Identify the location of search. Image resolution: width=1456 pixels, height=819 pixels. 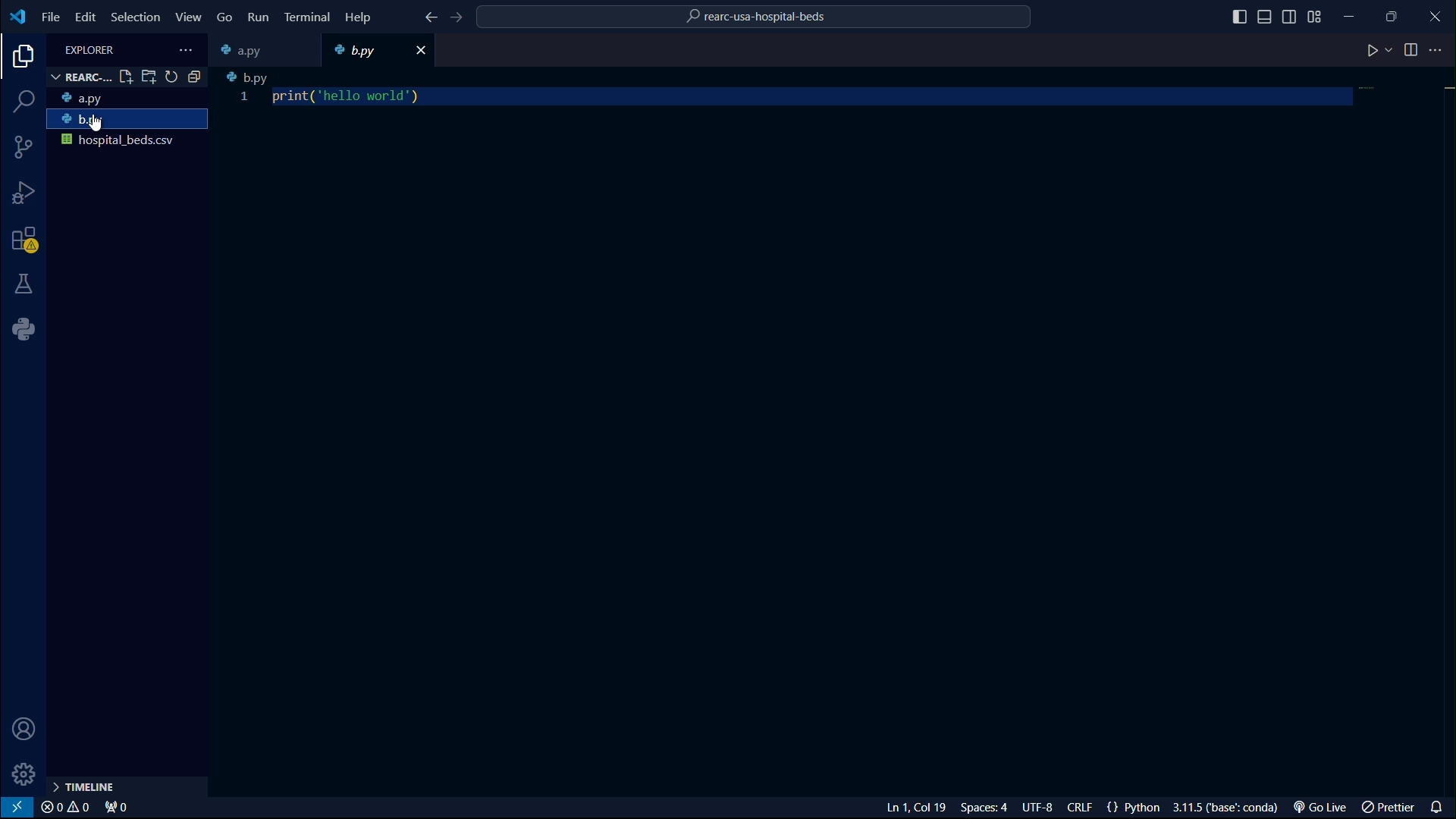
(24, 104).